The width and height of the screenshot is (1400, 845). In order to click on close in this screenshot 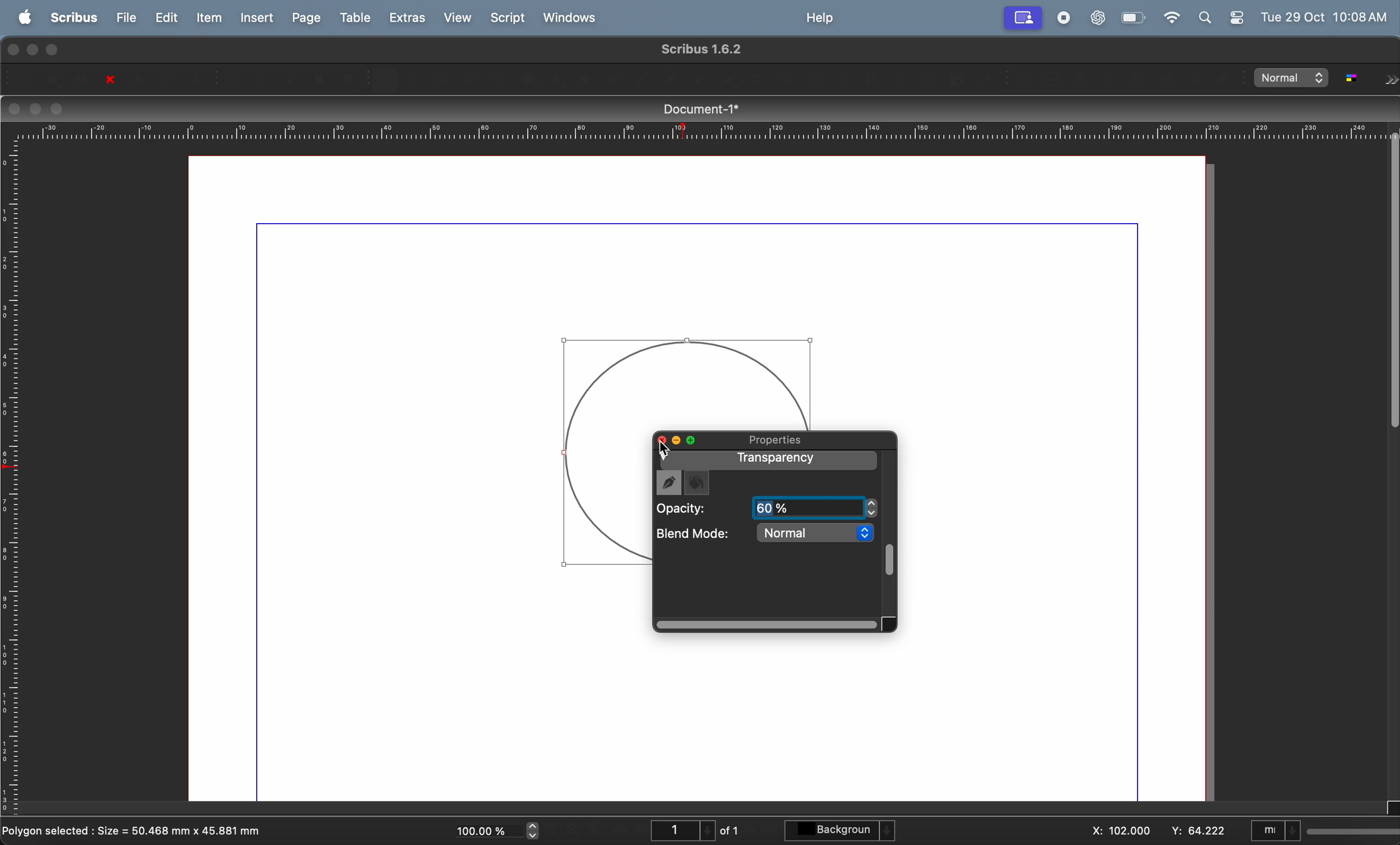, I will do `click(105, 80)`.